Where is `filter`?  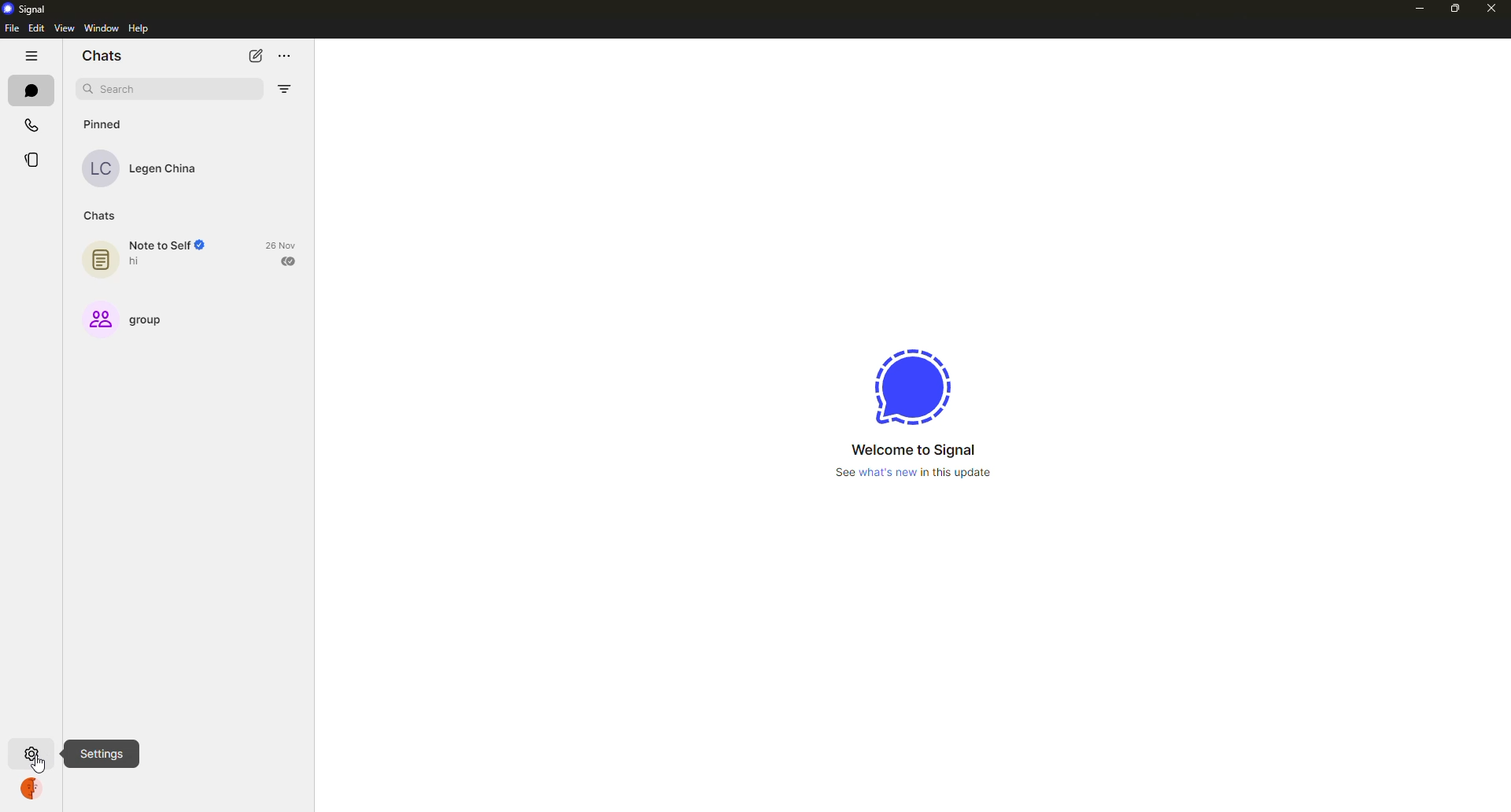 filter is located at coordinates (284, 89).